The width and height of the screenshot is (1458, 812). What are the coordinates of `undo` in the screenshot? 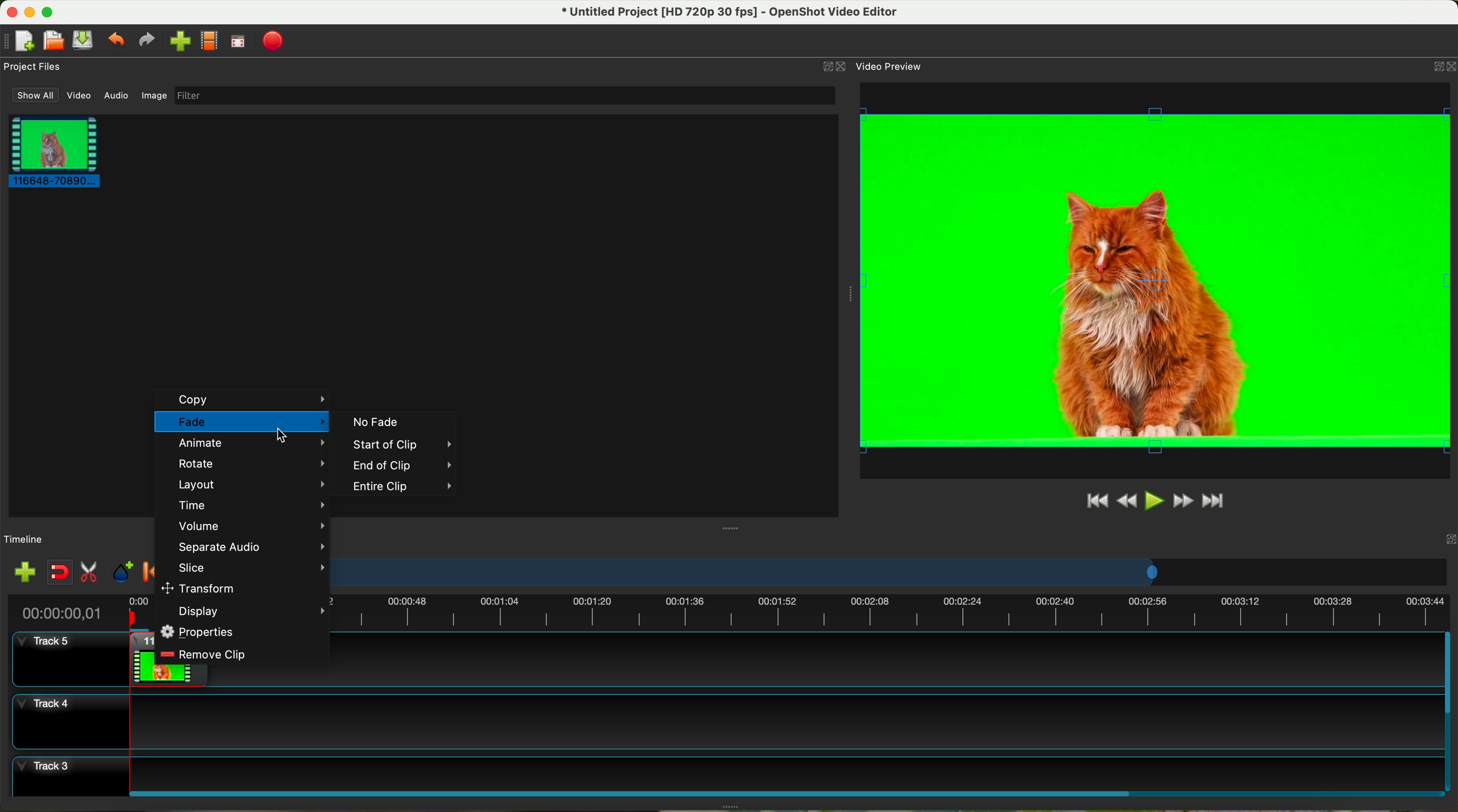 It's located at (115, 38).